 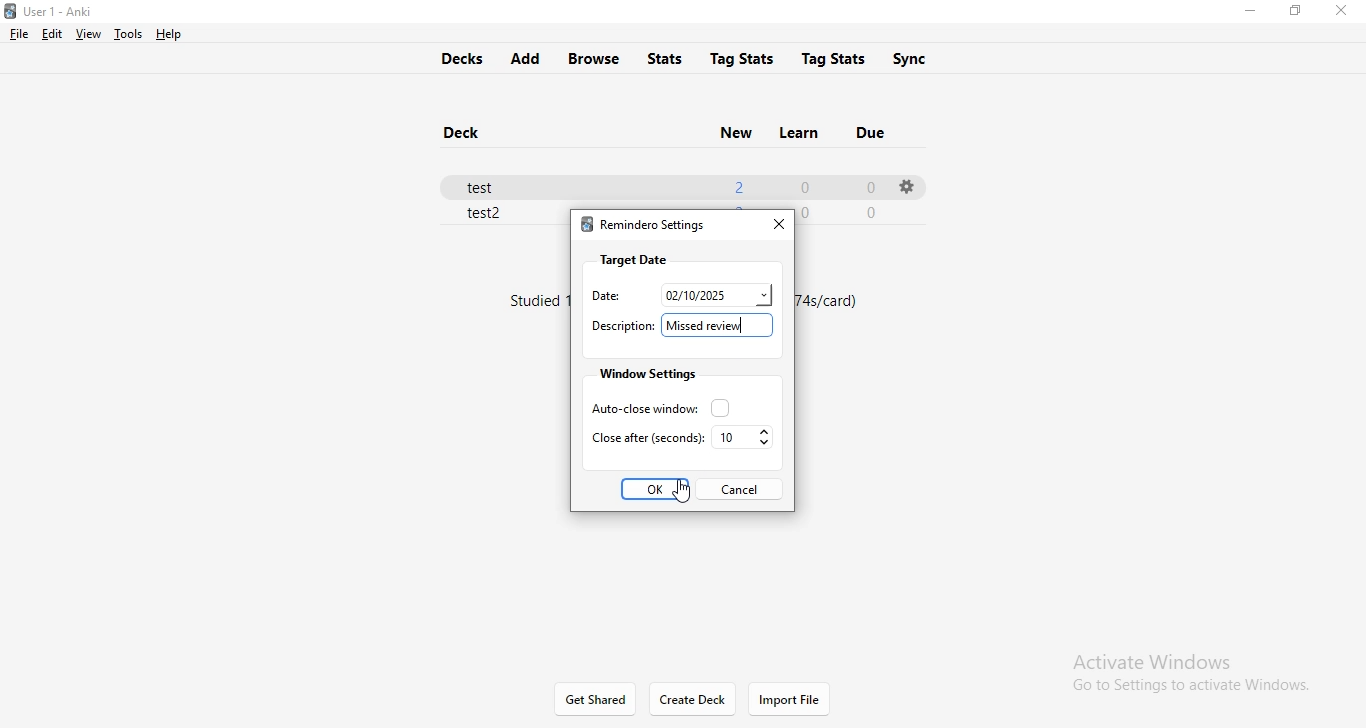 I want to click on close, so click(x=775, y=222).